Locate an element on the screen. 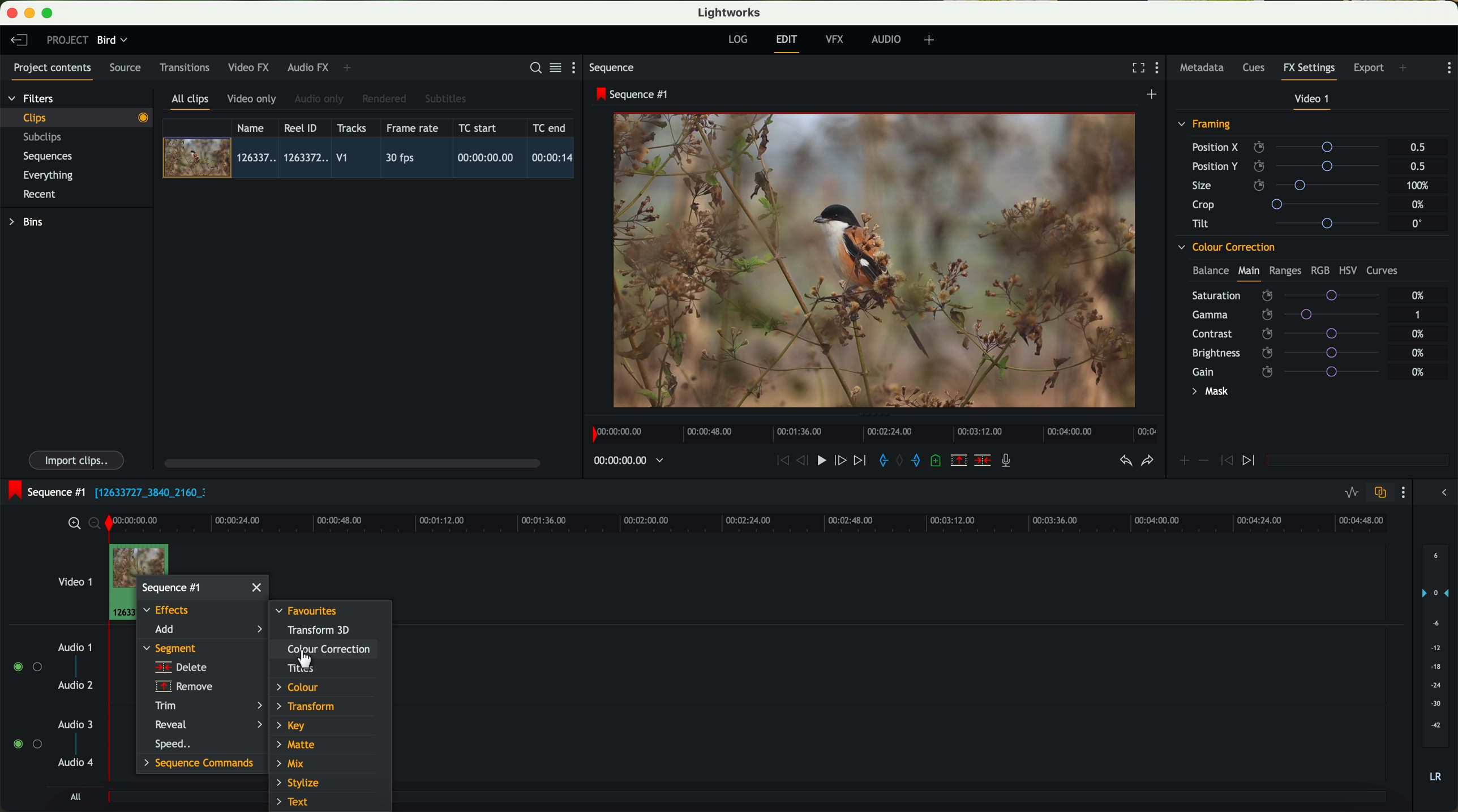  sequences is located at coordinates (48, 157).